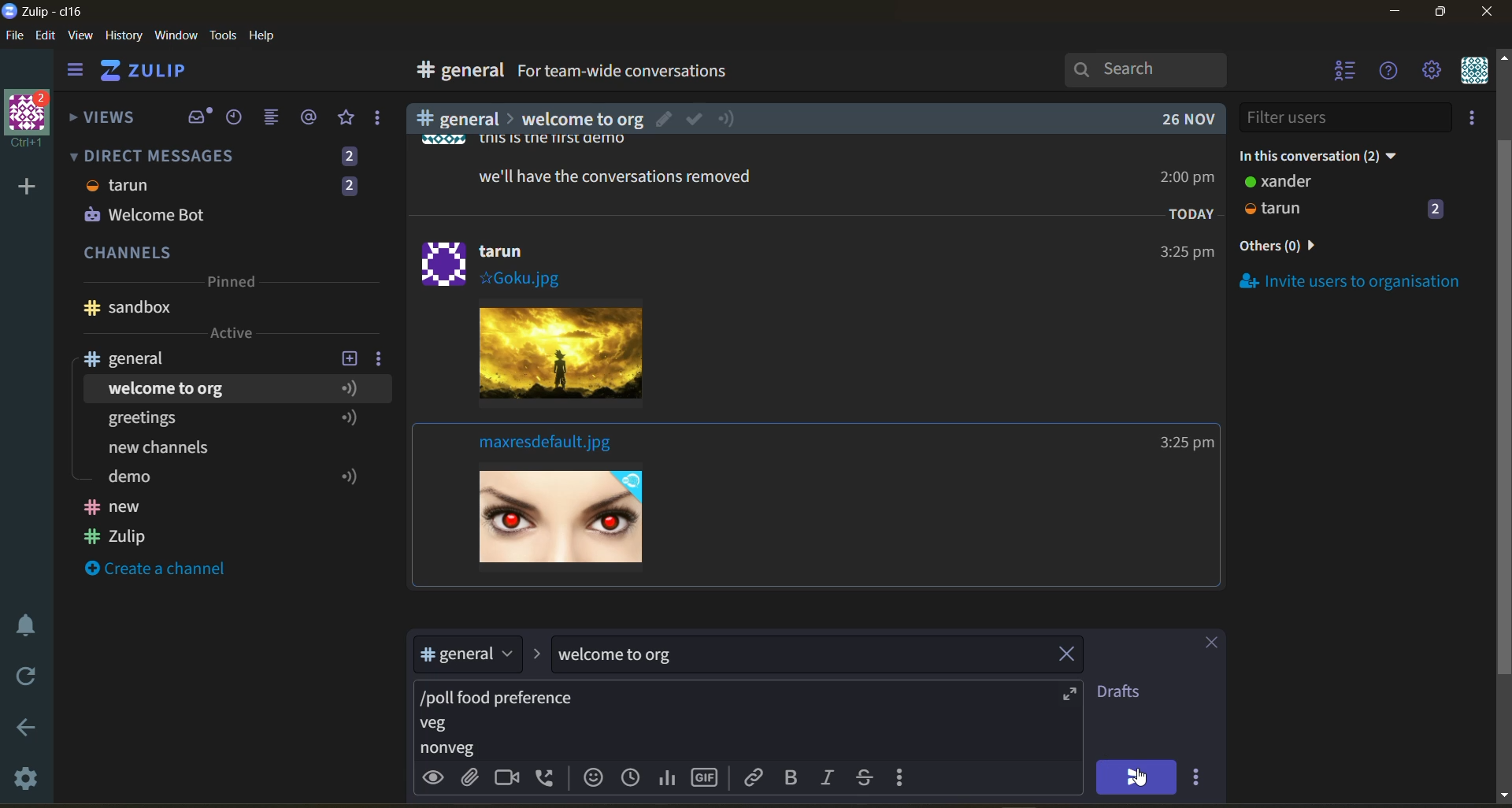 Image resolution: width=1512 pixels, height=808 pixels. Describe the element at coordinates (1191, 214) in the screenshot. I see `` at that location.